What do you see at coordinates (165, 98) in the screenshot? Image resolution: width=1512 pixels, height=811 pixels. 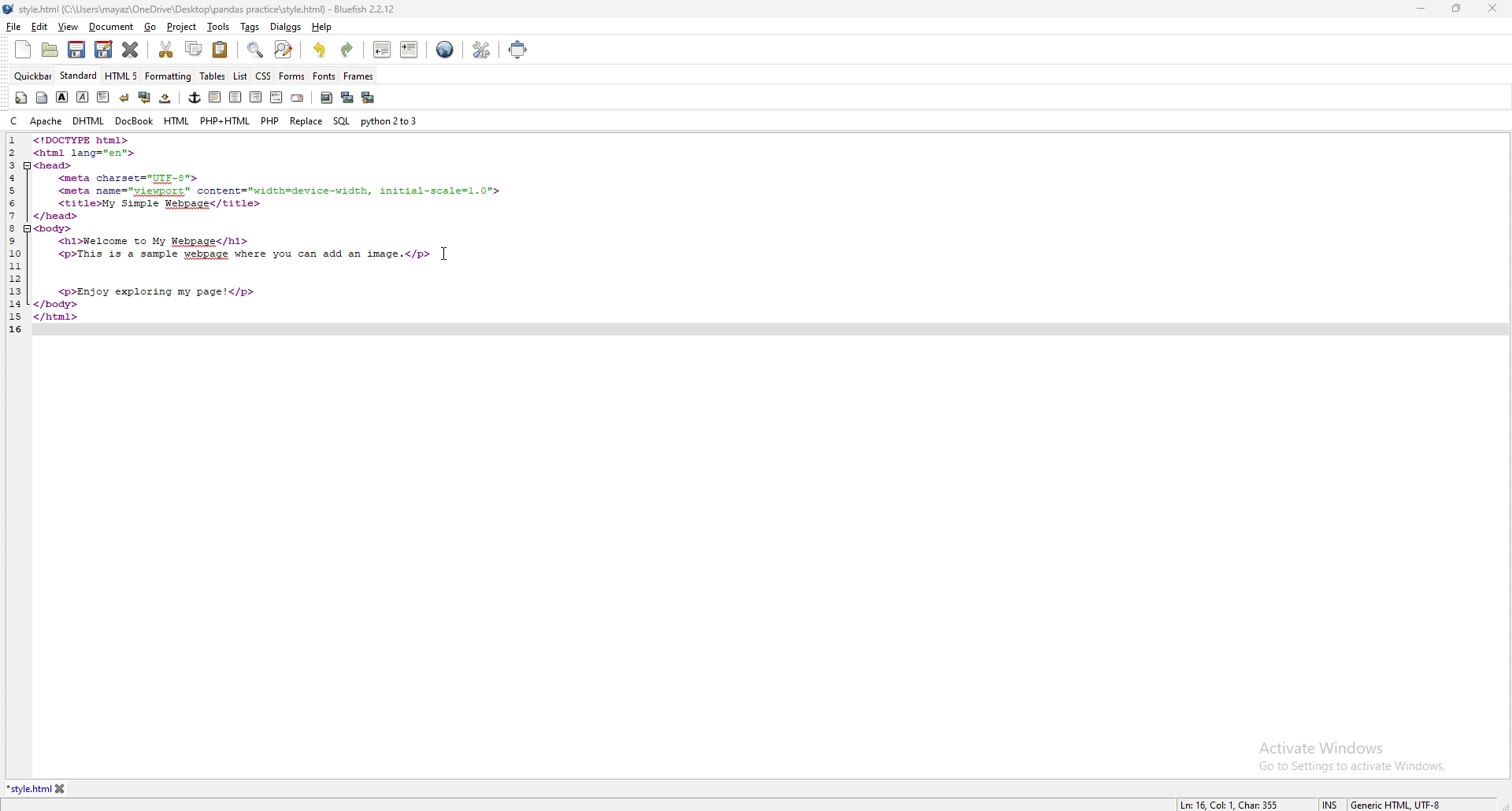 I see `non breaking space` at bounding box center [165, 98].